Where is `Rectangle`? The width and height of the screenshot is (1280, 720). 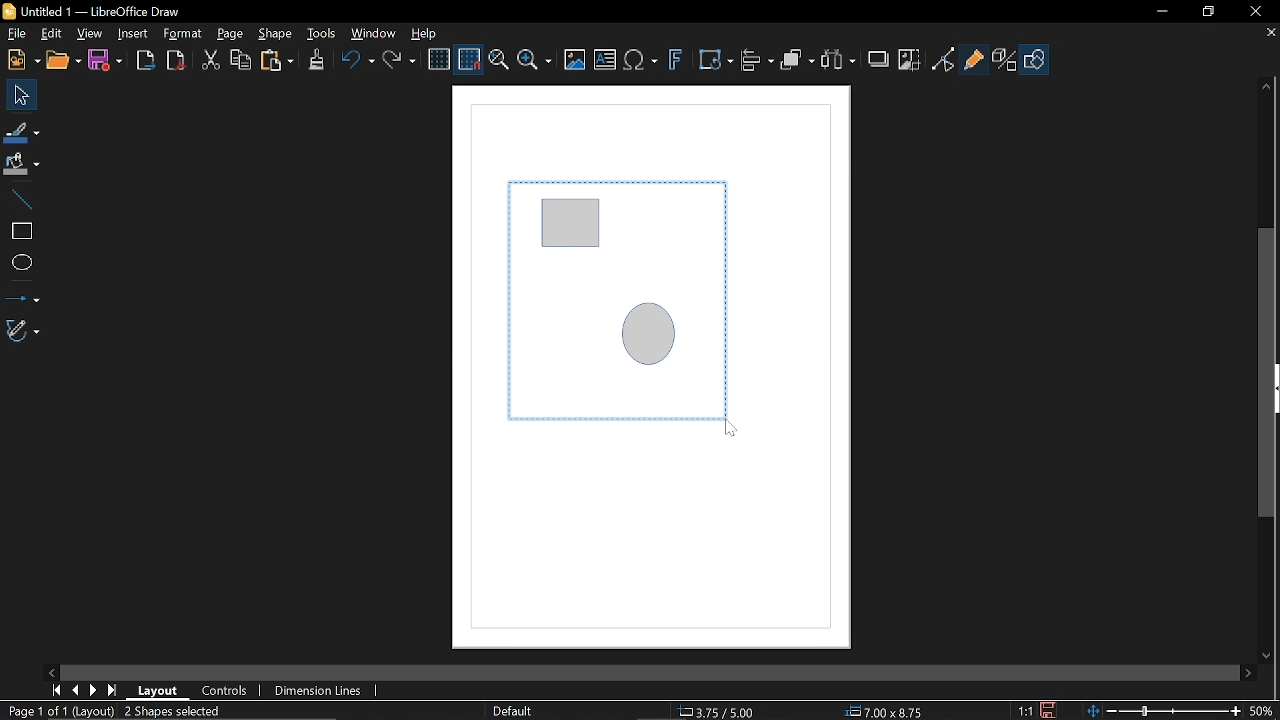
Rectangle is located at coordinates (19, 229).